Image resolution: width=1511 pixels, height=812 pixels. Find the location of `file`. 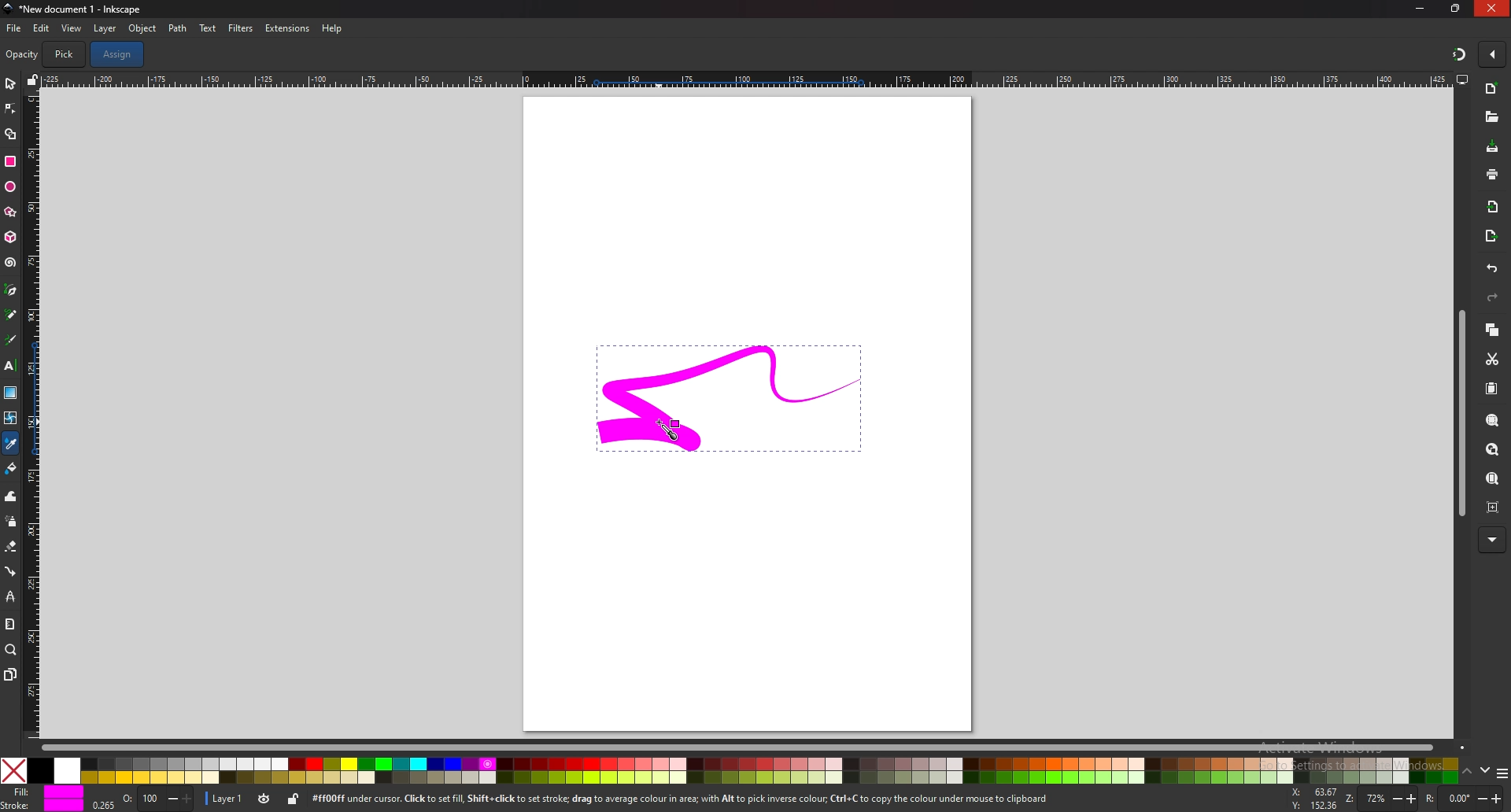

file is located at coordinates (14, 29).